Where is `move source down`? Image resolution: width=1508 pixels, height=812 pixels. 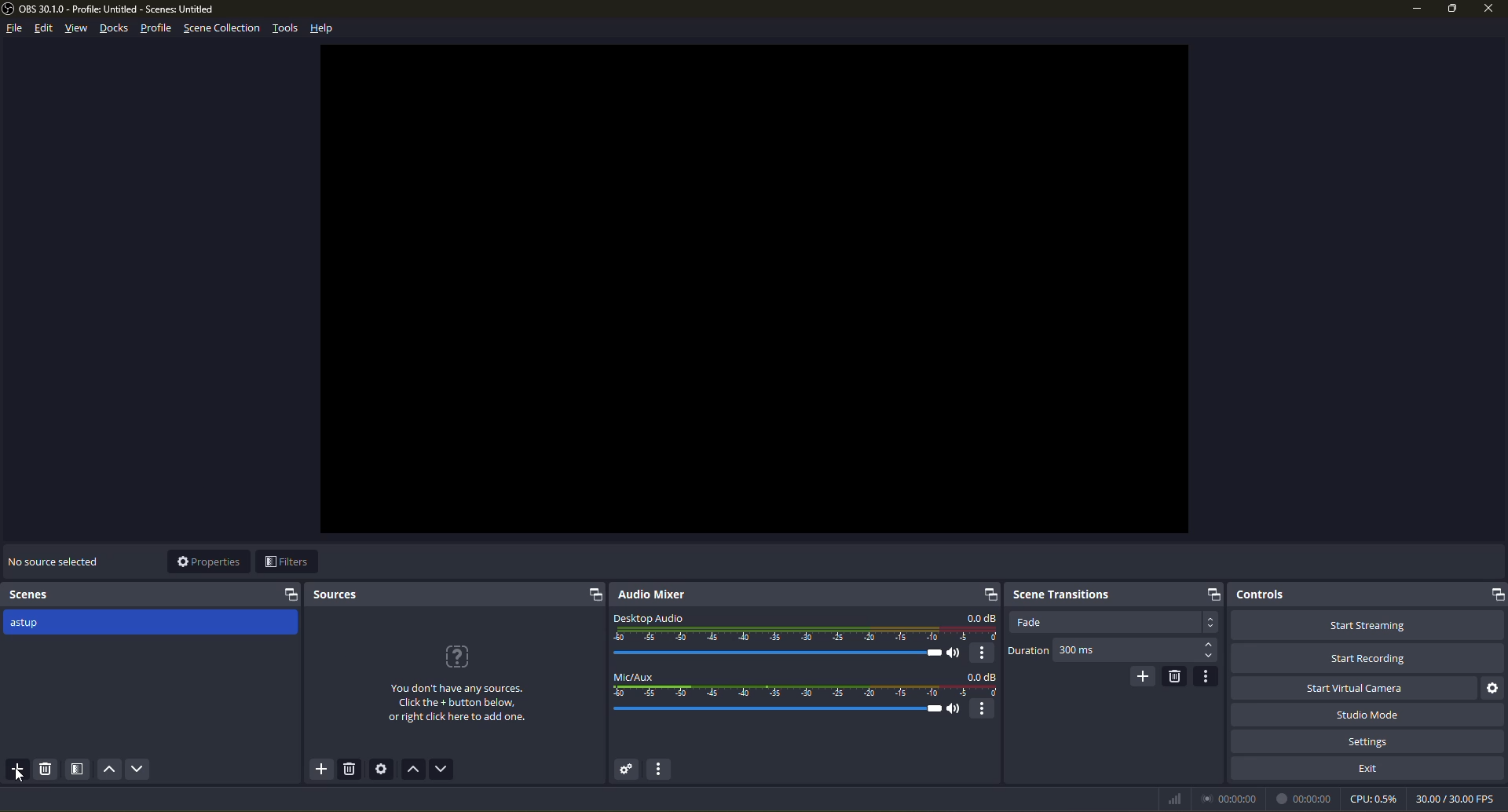
move source down is located at coordinates (441, 769).